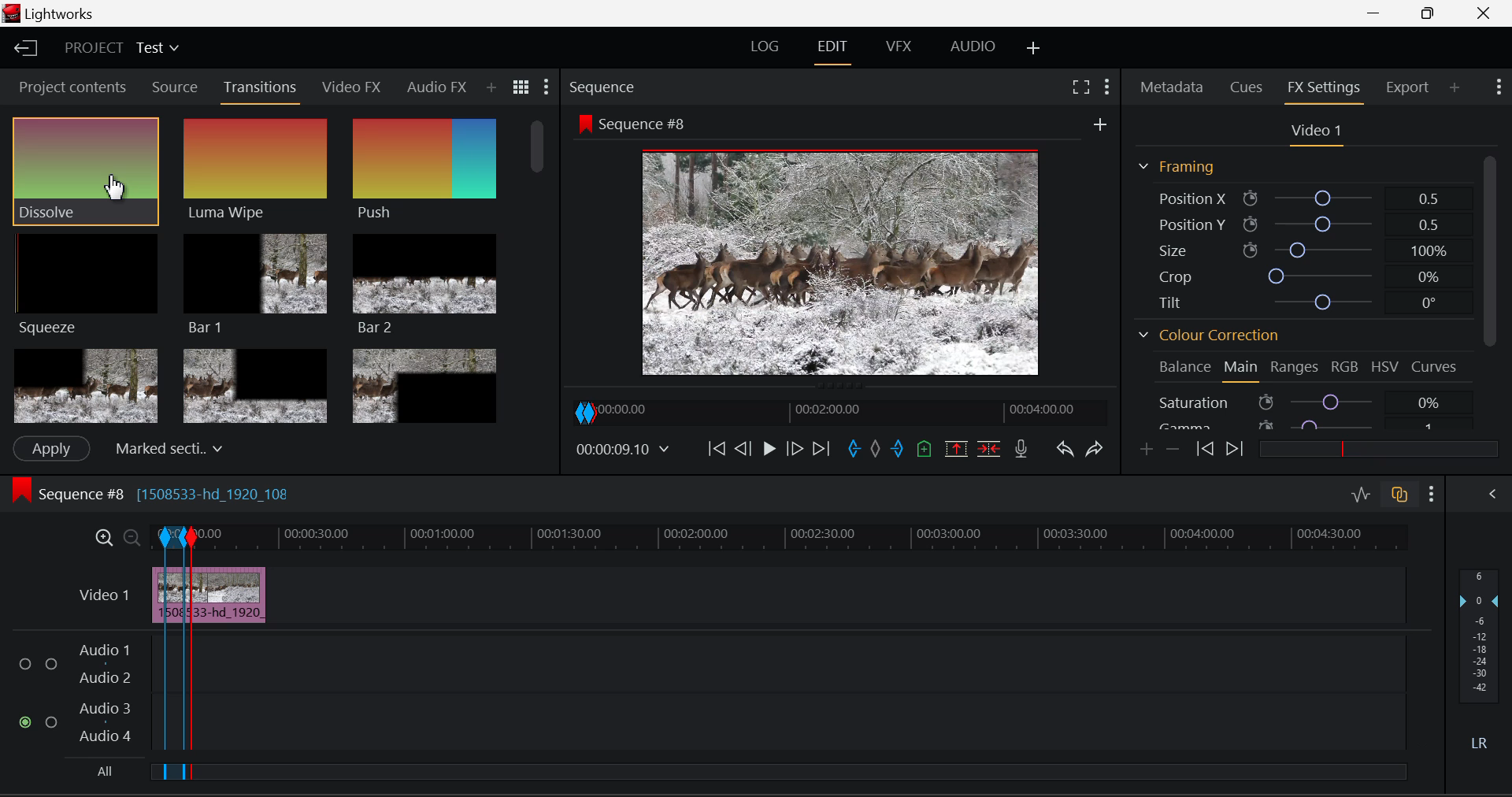  What do you see at coordinates (765, 50) in the screenshot?
I see `LOG Layout` at bounding box center [765, 50].